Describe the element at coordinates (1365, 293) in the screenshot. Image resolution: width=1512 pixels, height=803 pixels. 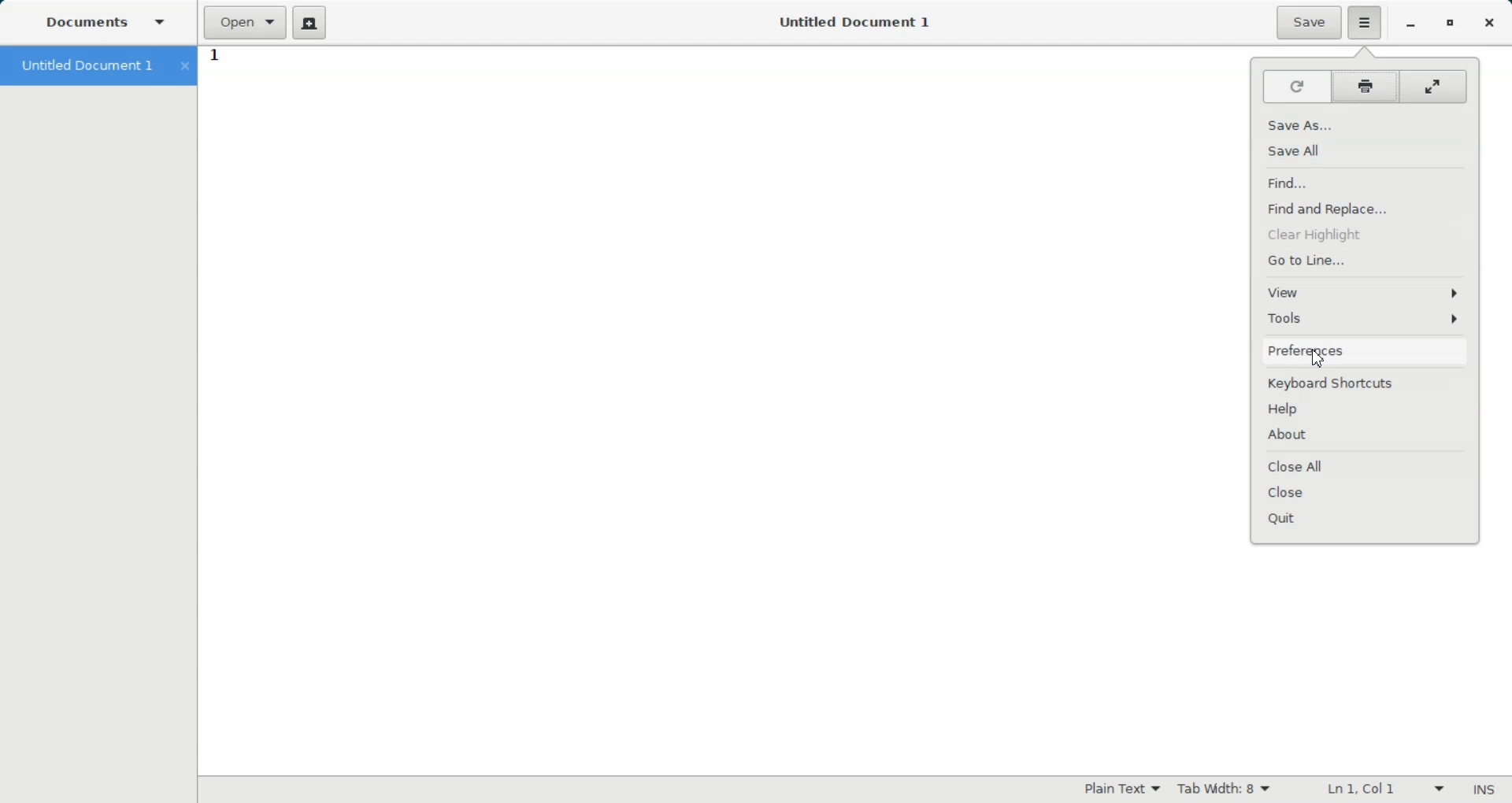
I see `View` at that location.